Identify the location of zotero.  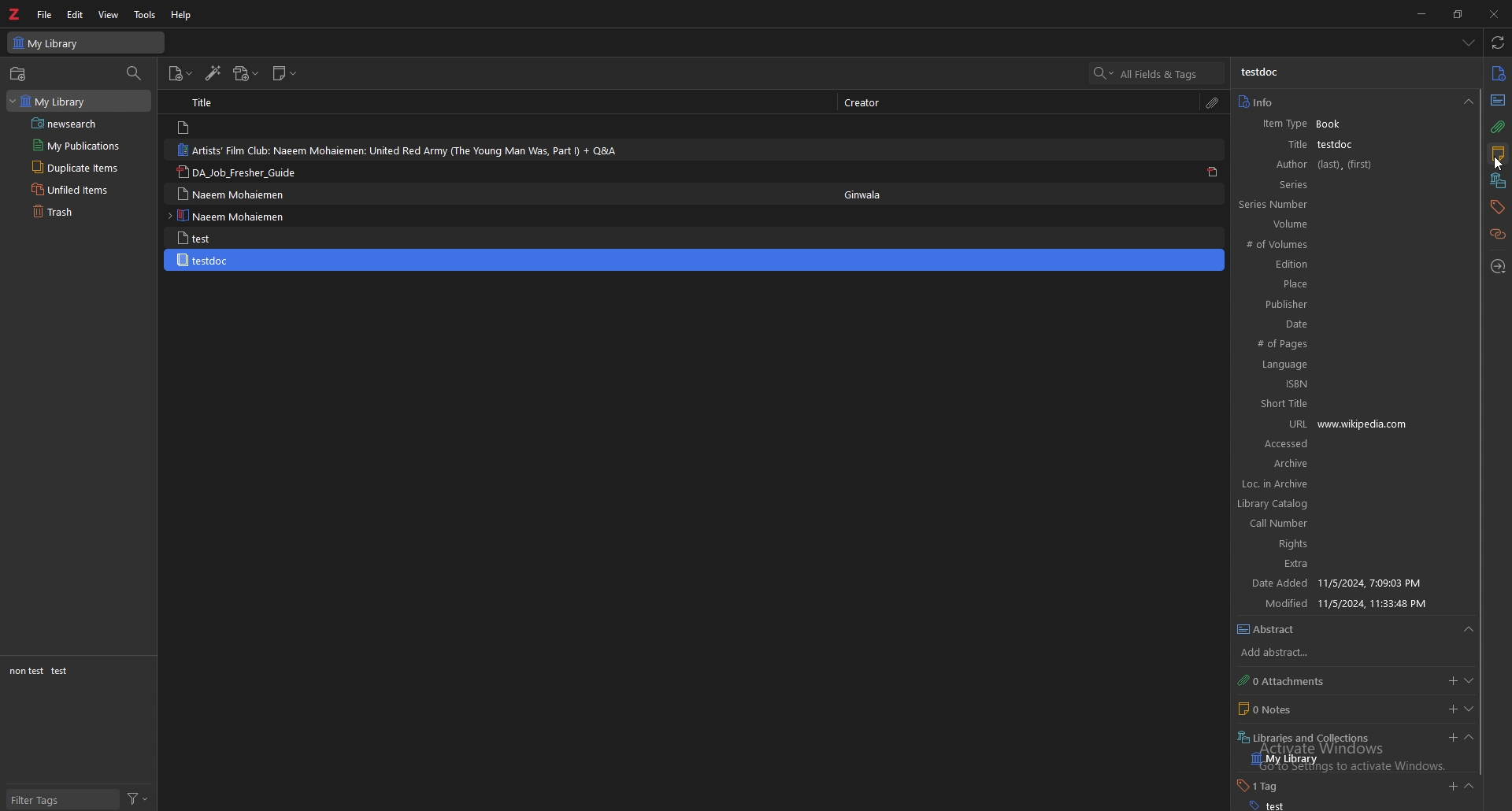
(15, 14).